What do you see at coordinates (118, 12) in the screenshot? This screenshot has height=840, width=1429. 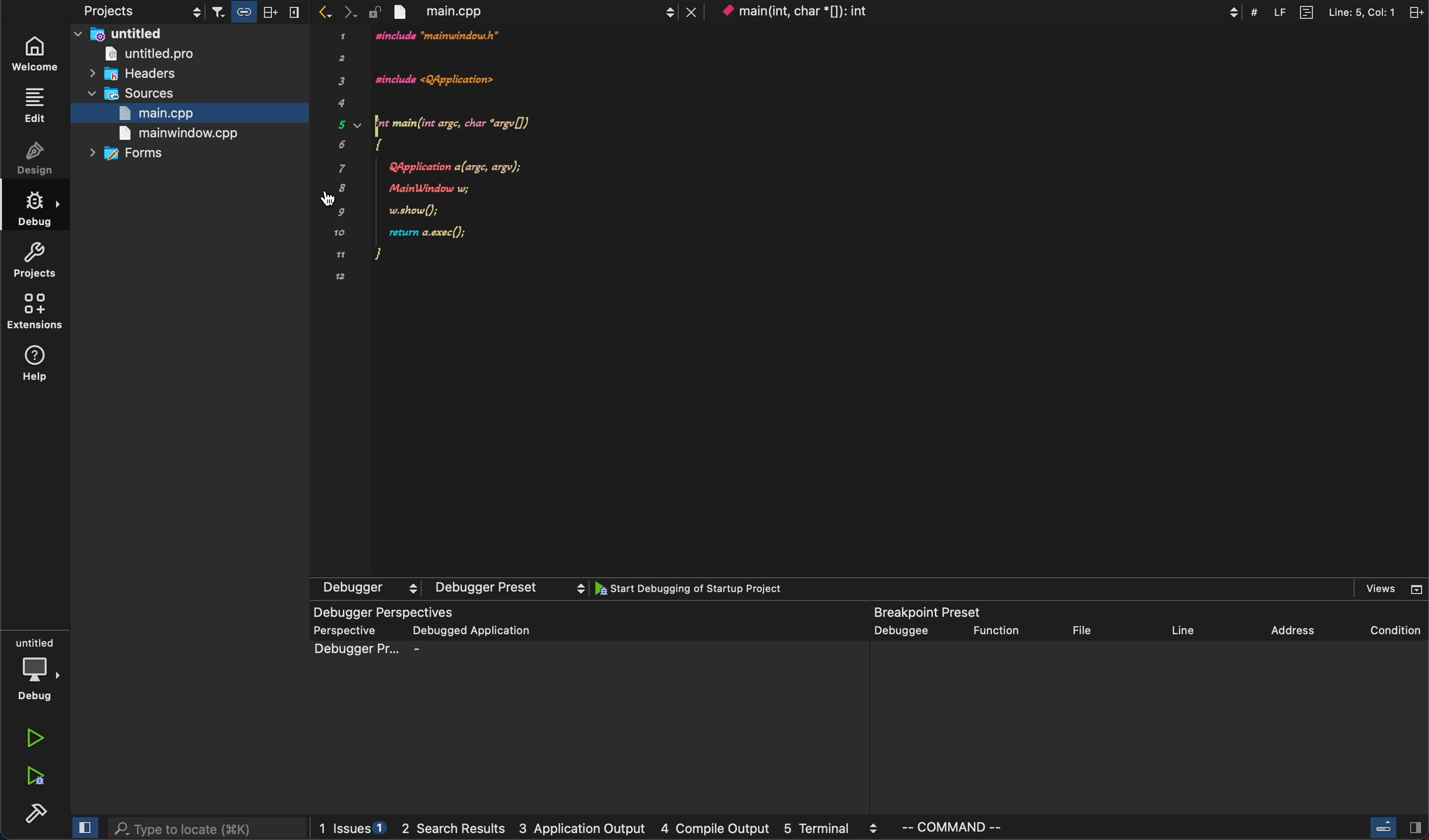 I see `projects` at bounding box center [118, 12].